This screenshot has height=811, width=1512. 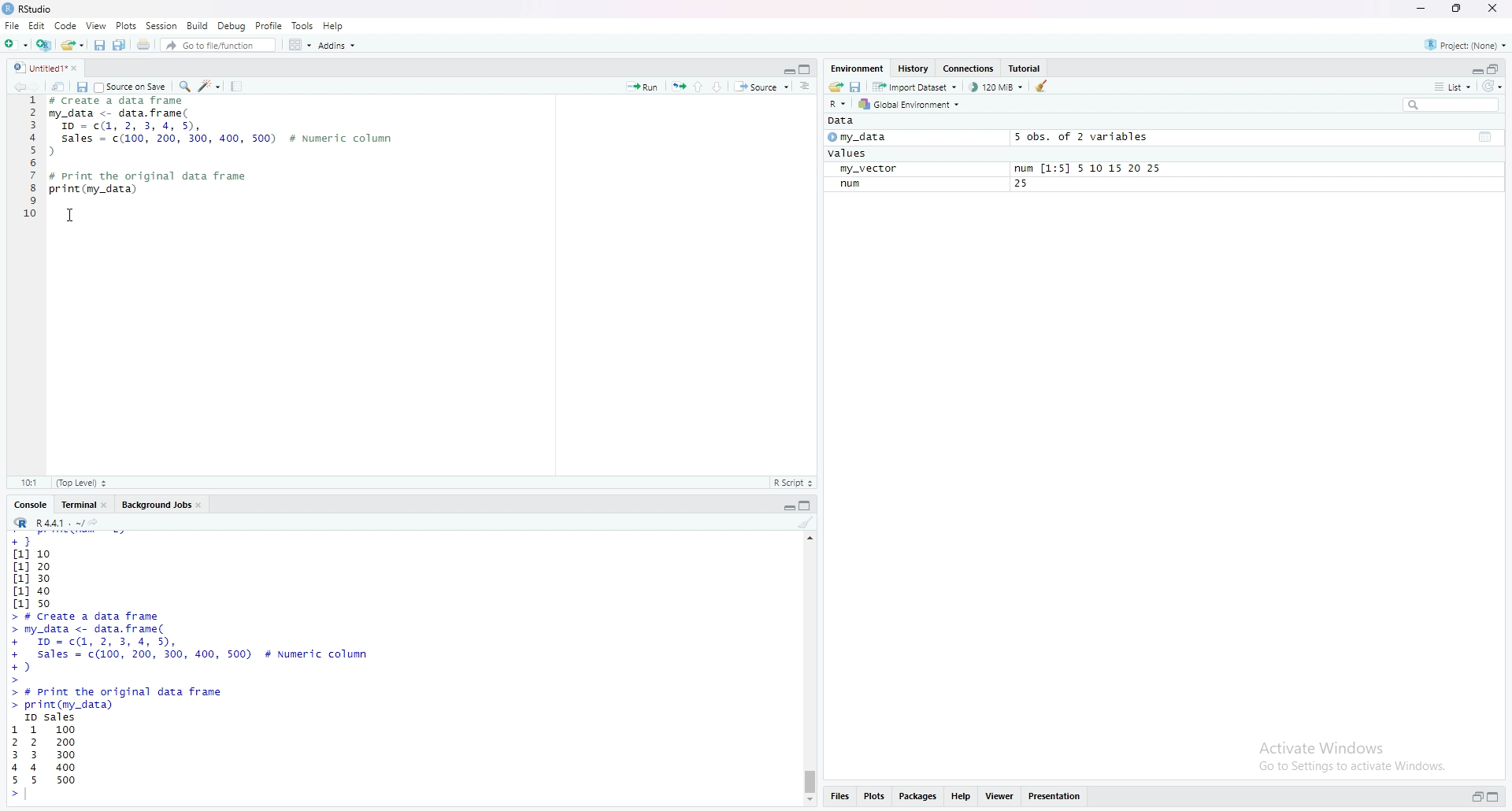 I want to click on find/replace, so click(x=183, y=88).